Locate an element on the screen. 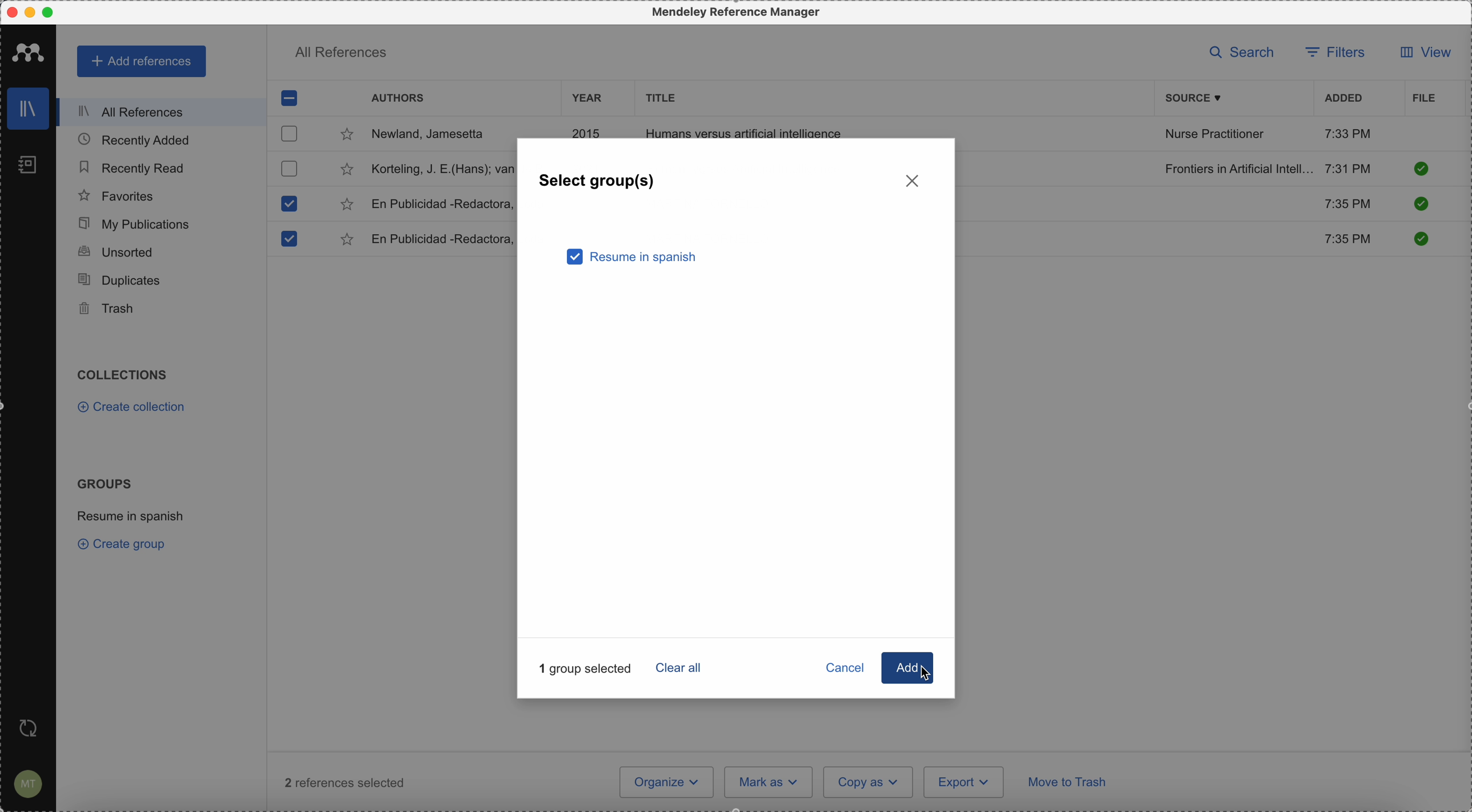 The image size is (1472, 812). authors is located at coordinates (398, 99).